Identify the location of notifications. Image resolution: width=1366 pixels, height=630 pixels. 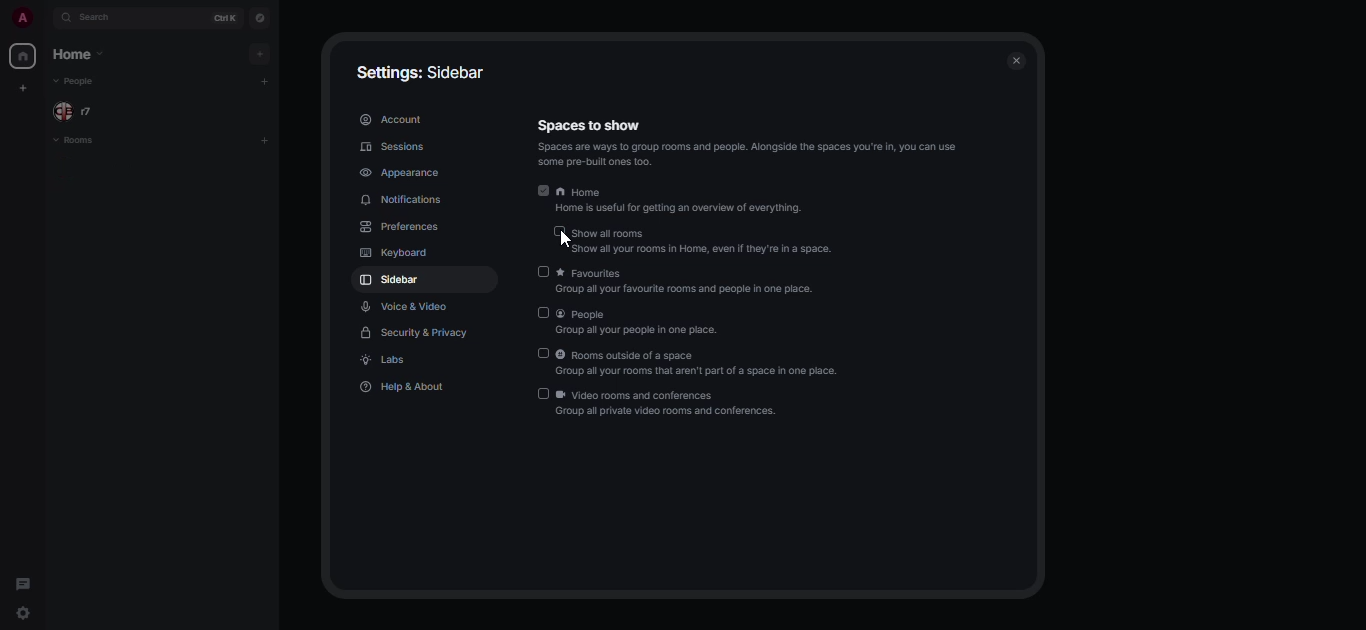
(408, 200).